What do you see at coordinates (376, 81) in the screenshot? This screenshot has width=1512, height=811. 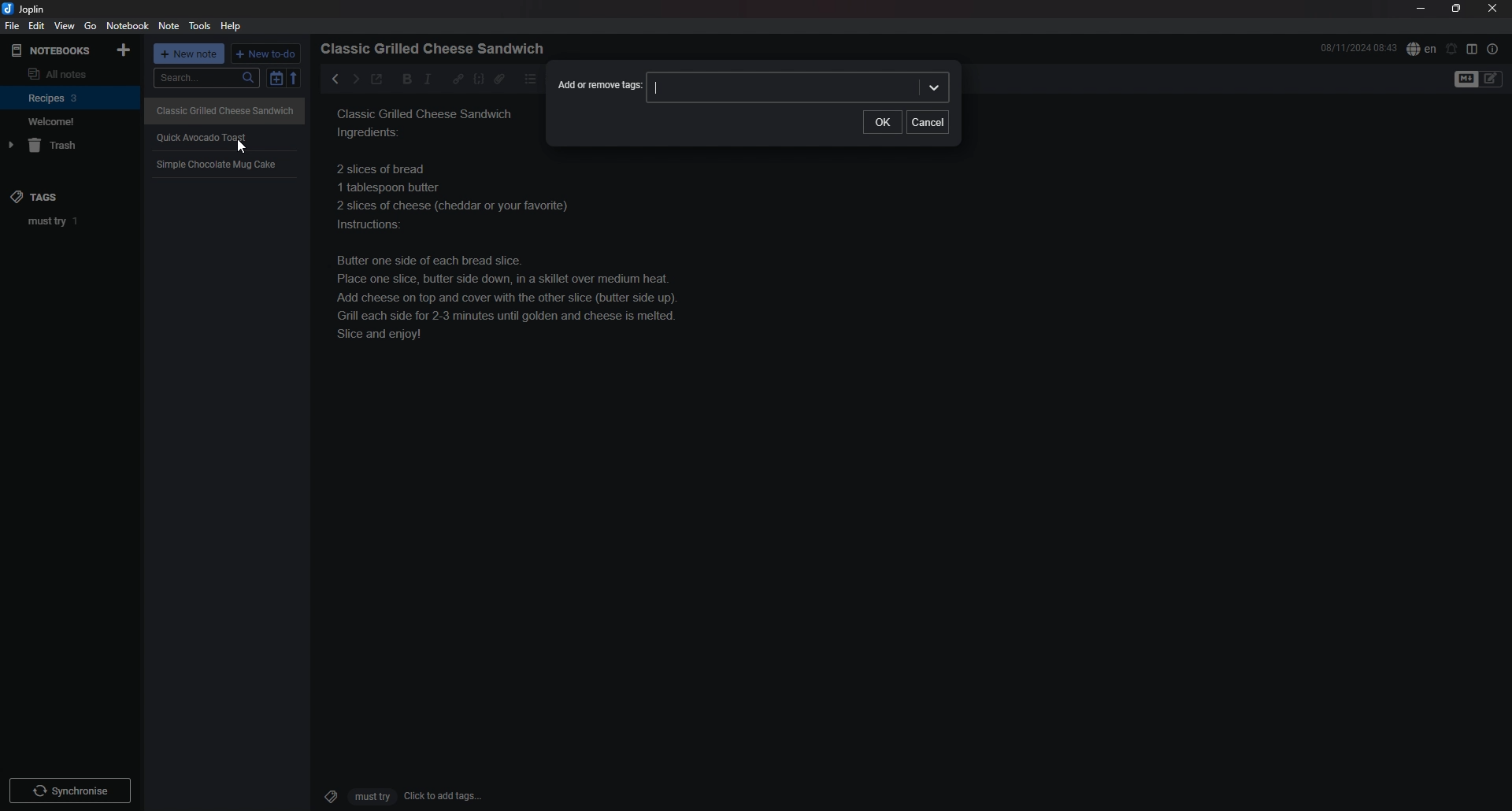 I see `toggle external editor` at bounding box center [376, 81].